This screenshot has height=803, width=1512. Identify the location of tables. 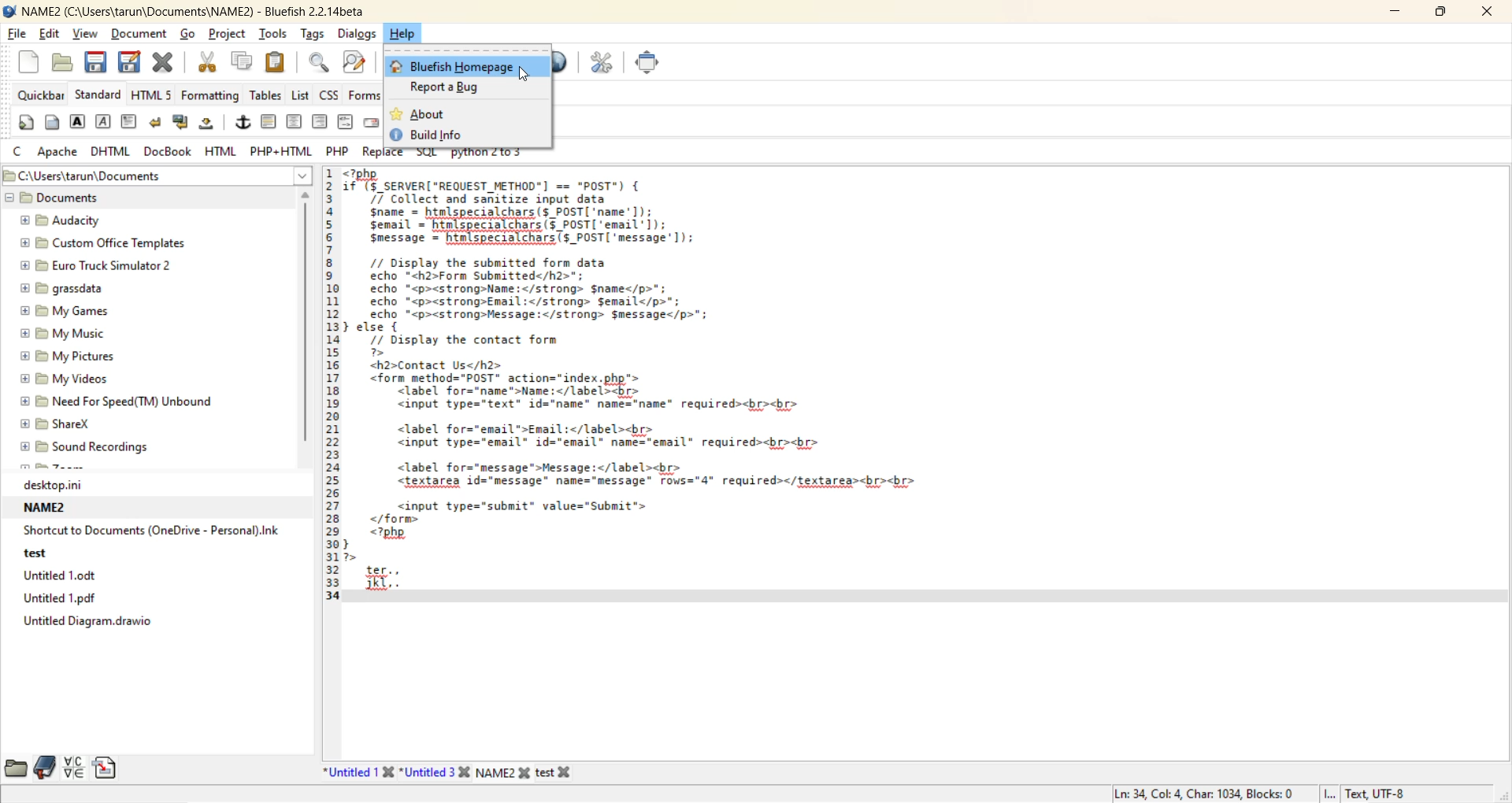
(265, 94).